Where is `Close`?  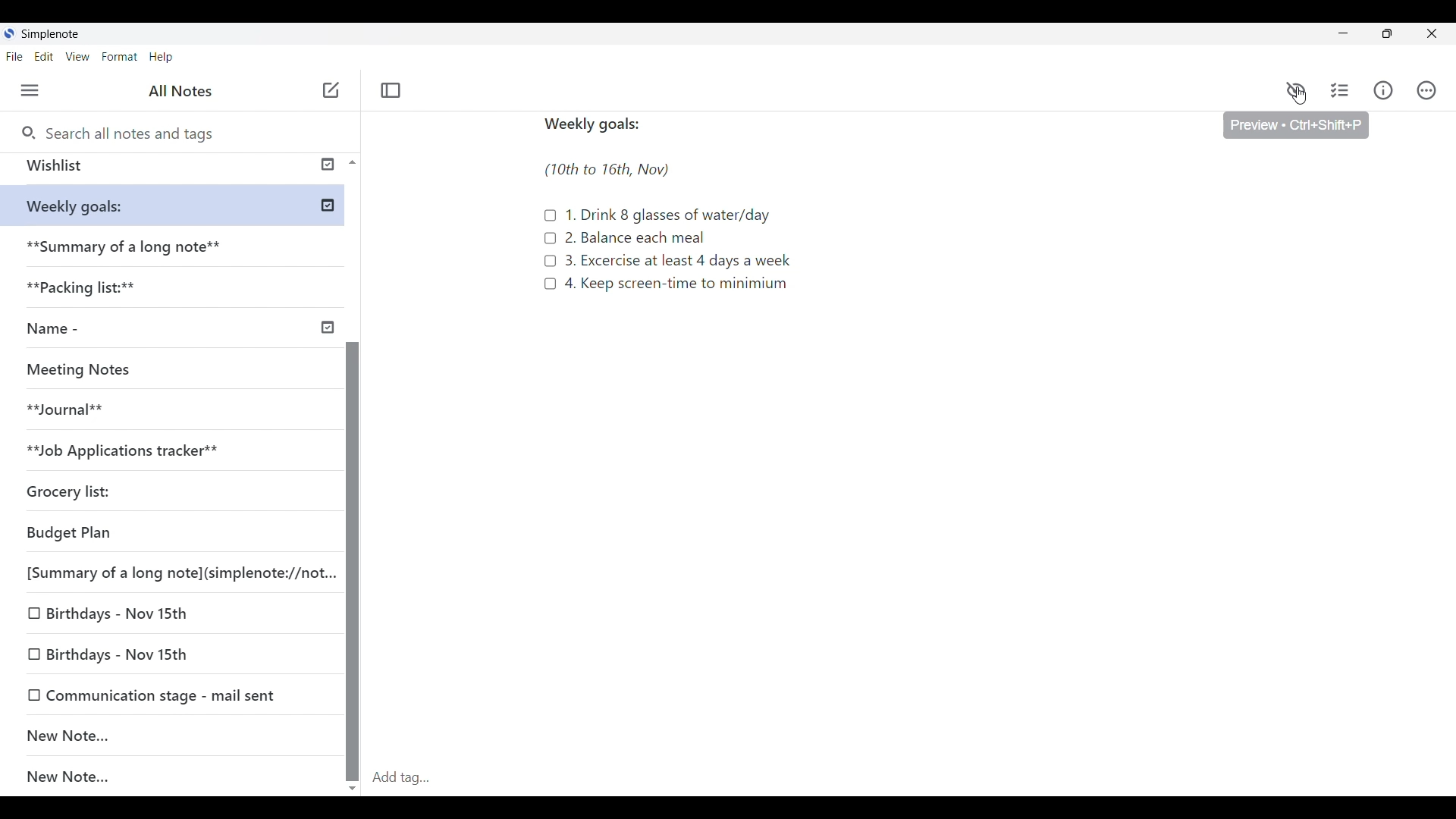
Close is located at coordinates (1438, 33).